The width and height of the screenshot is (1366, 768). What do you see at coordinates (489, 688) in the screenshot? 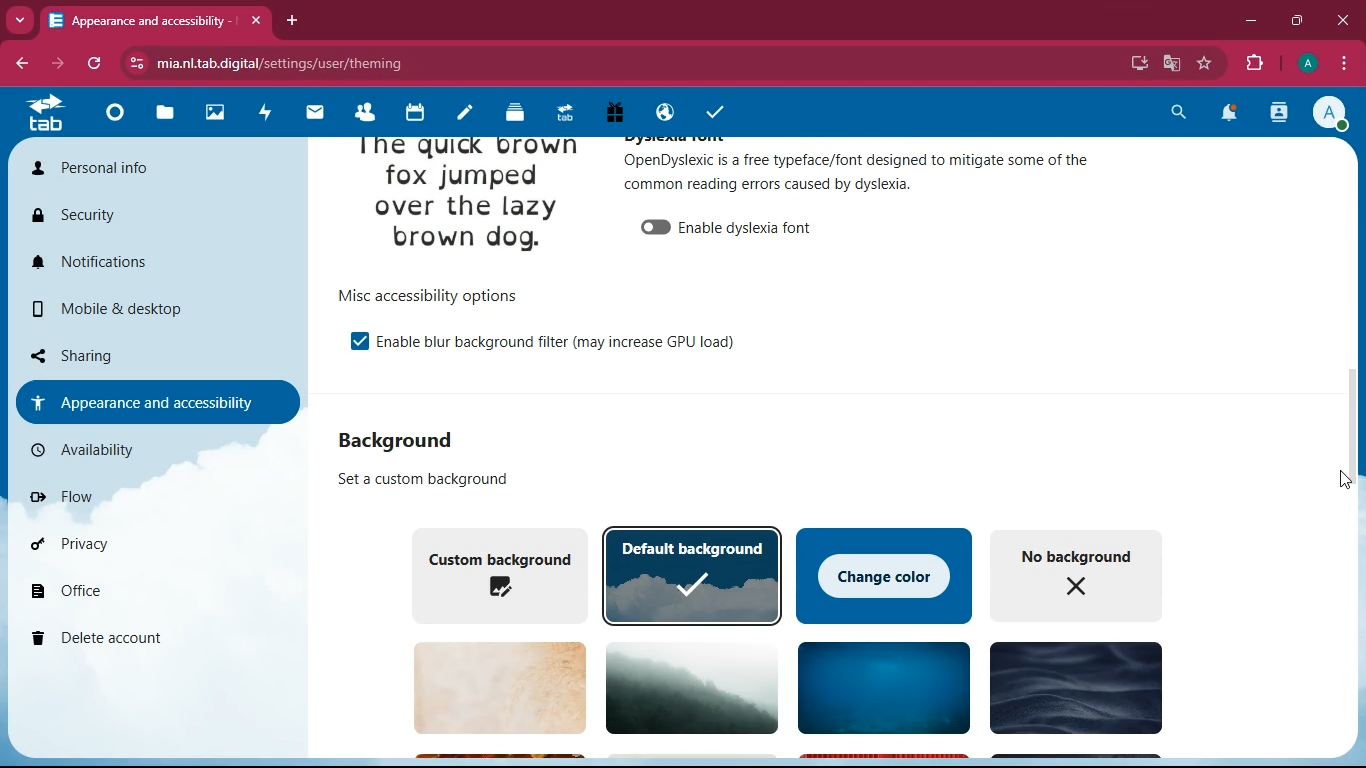
I see `background` at bounding box center [489, 688].